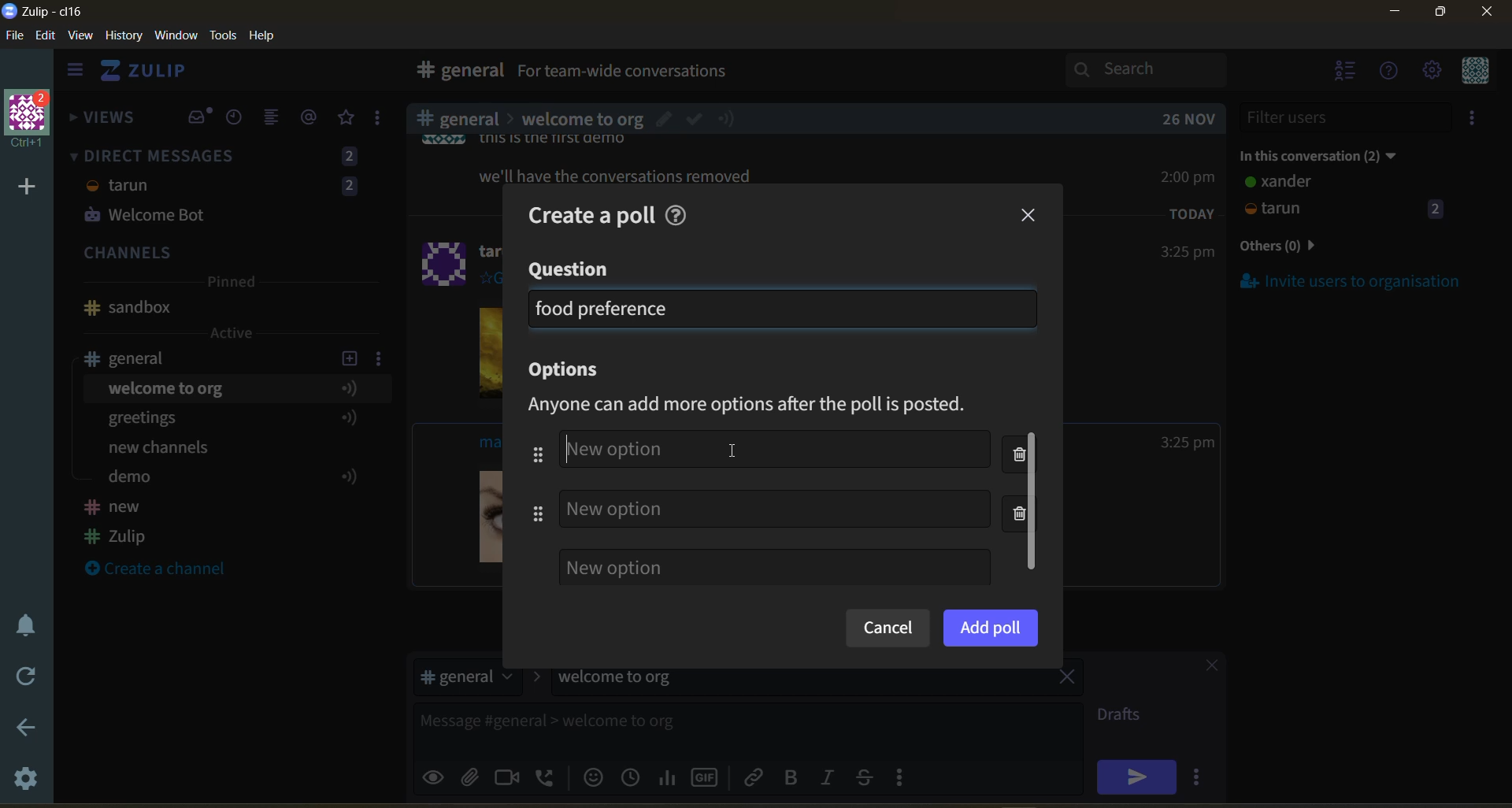  I want to click on direct messages, so click(228, 188).